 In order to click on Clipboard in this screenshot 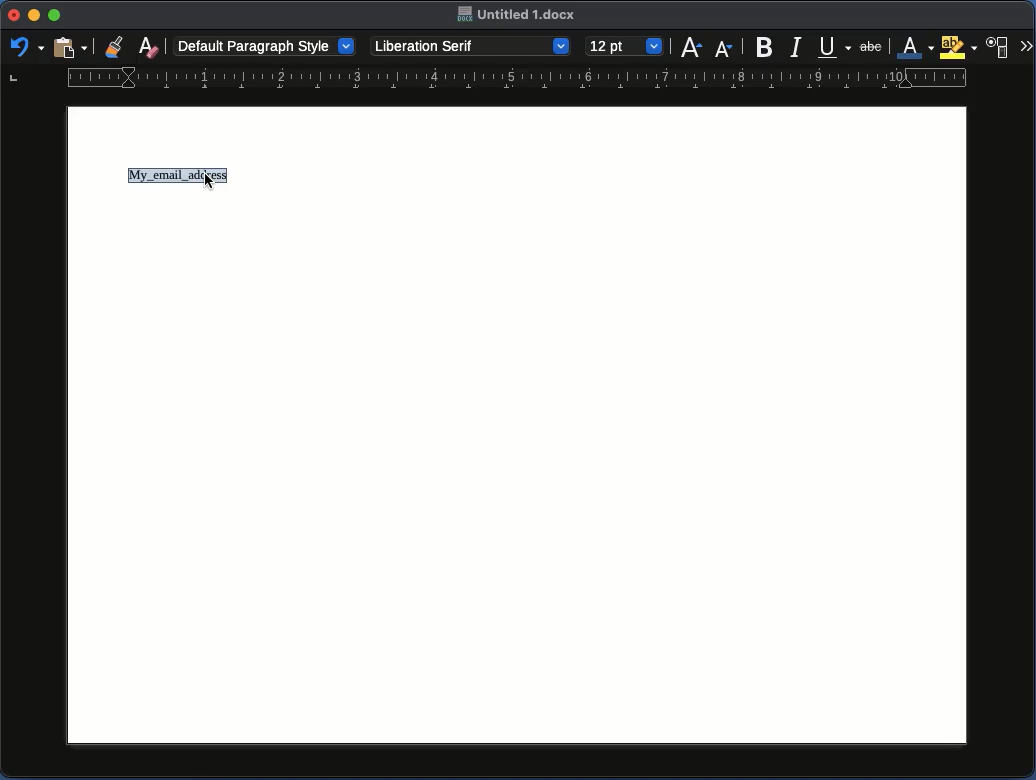, I will do `click(69, 49)`.